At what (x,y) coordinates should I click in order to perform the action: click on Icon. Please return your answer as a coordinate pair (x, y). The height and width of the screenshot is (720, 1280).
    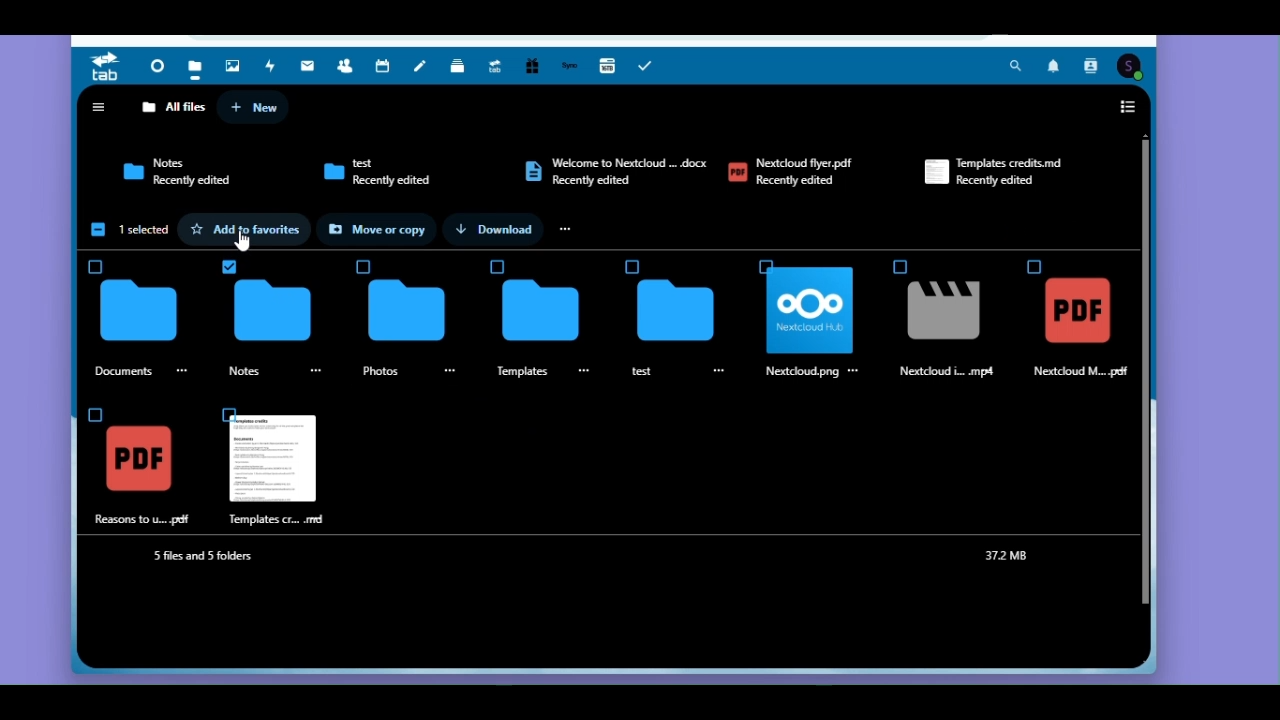
    Looking at the image, I should click on (130, 171).